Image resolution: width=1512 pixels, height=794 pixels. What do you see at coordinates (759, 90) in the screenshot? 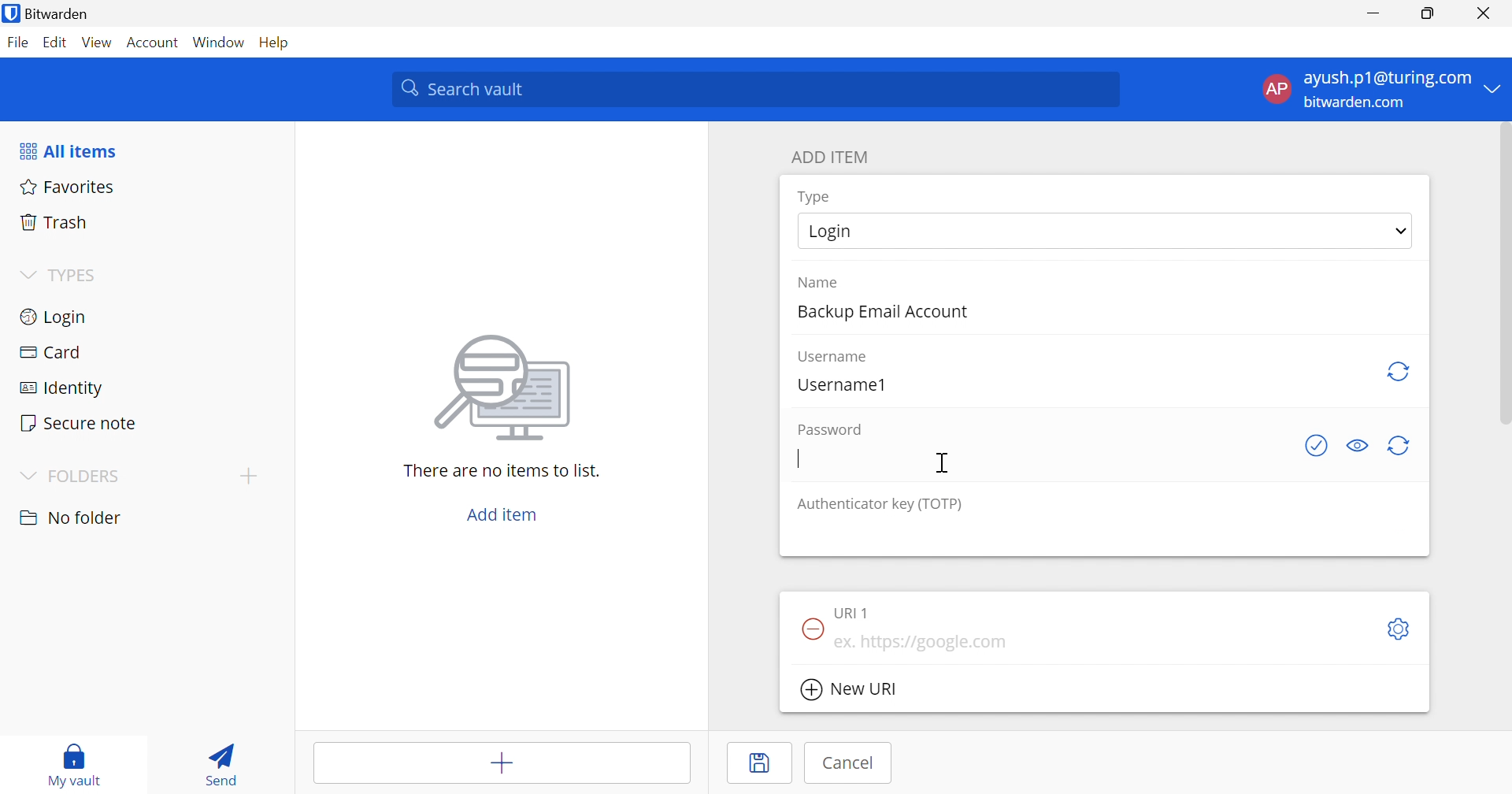
I see `Search vault` at bounding box center [759, 90].